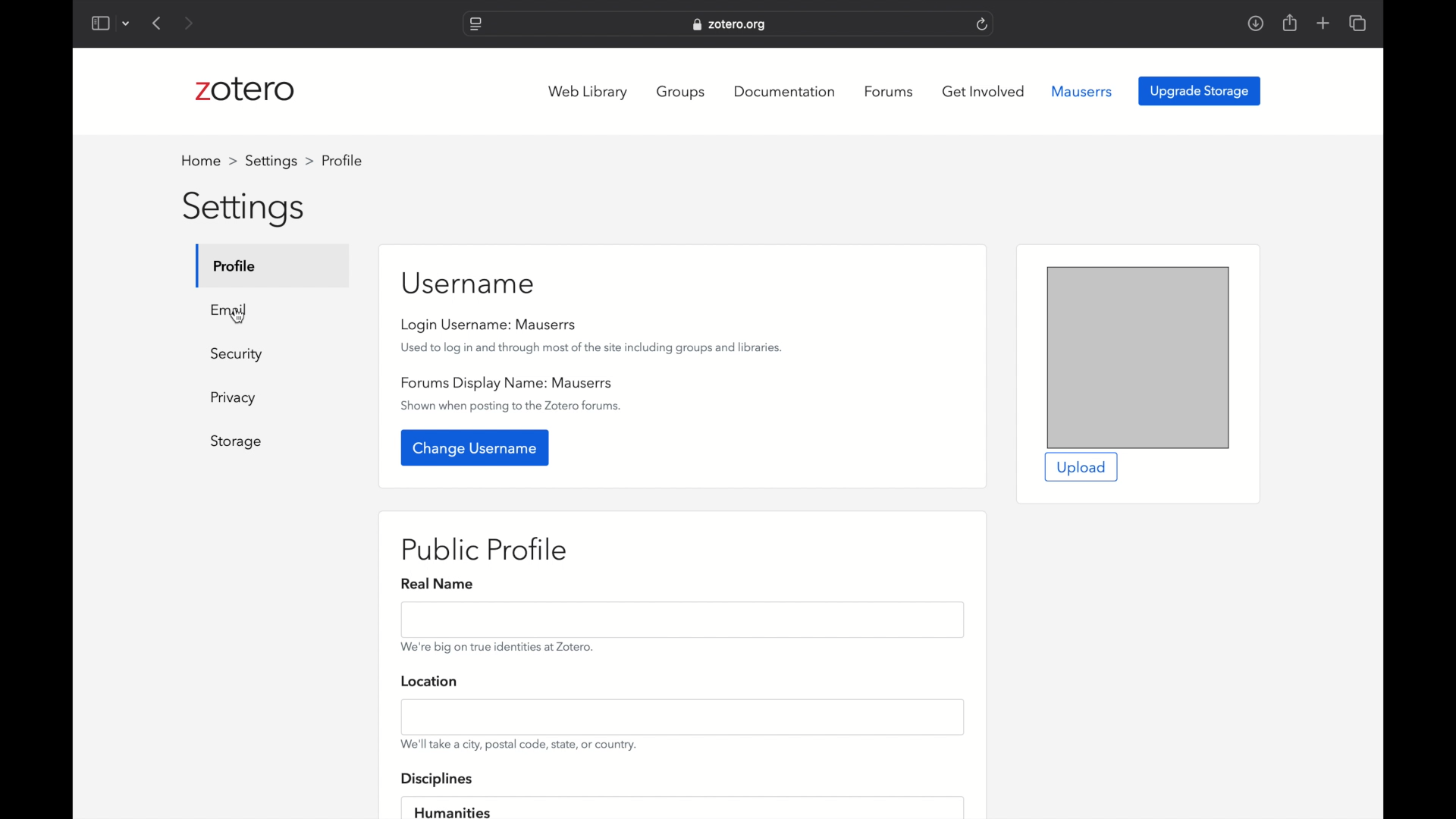  What do you see at coordinates (983, 92) in the screenshot?
I see `get involved` at bounding box center [983, 92].